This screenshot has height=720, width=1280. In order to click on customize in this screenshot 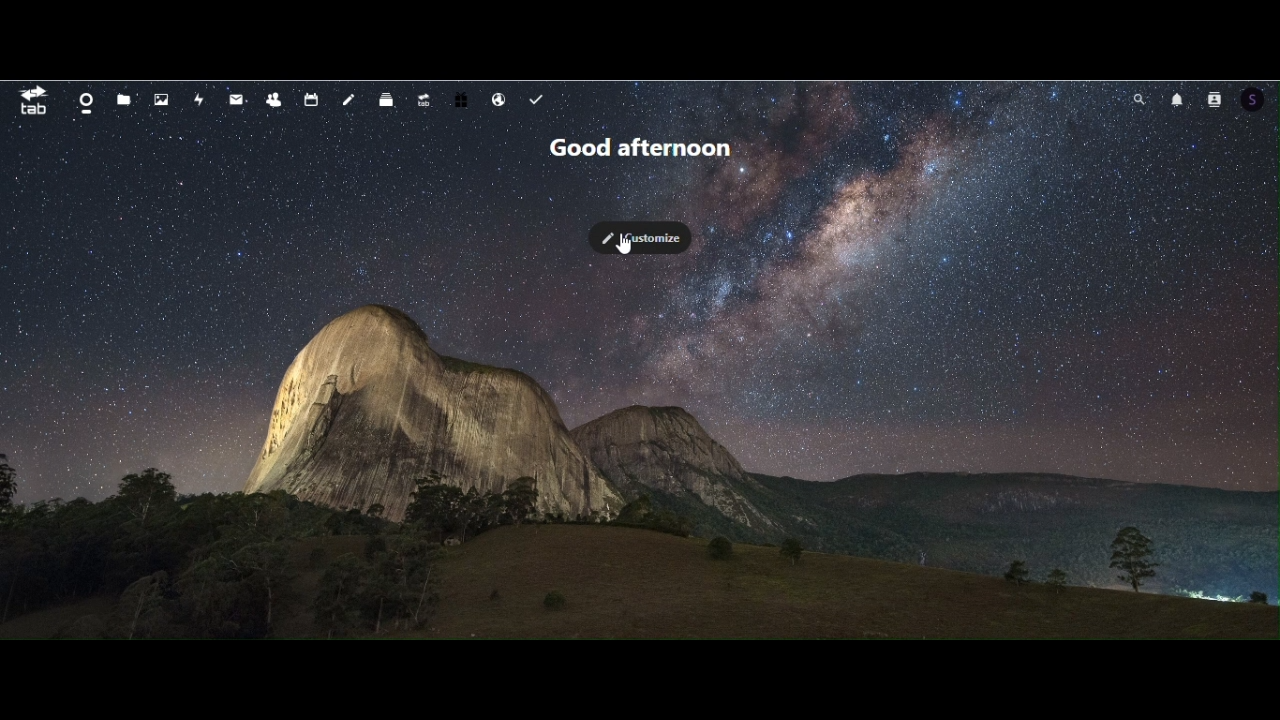, I will do `click(642, 240)`.